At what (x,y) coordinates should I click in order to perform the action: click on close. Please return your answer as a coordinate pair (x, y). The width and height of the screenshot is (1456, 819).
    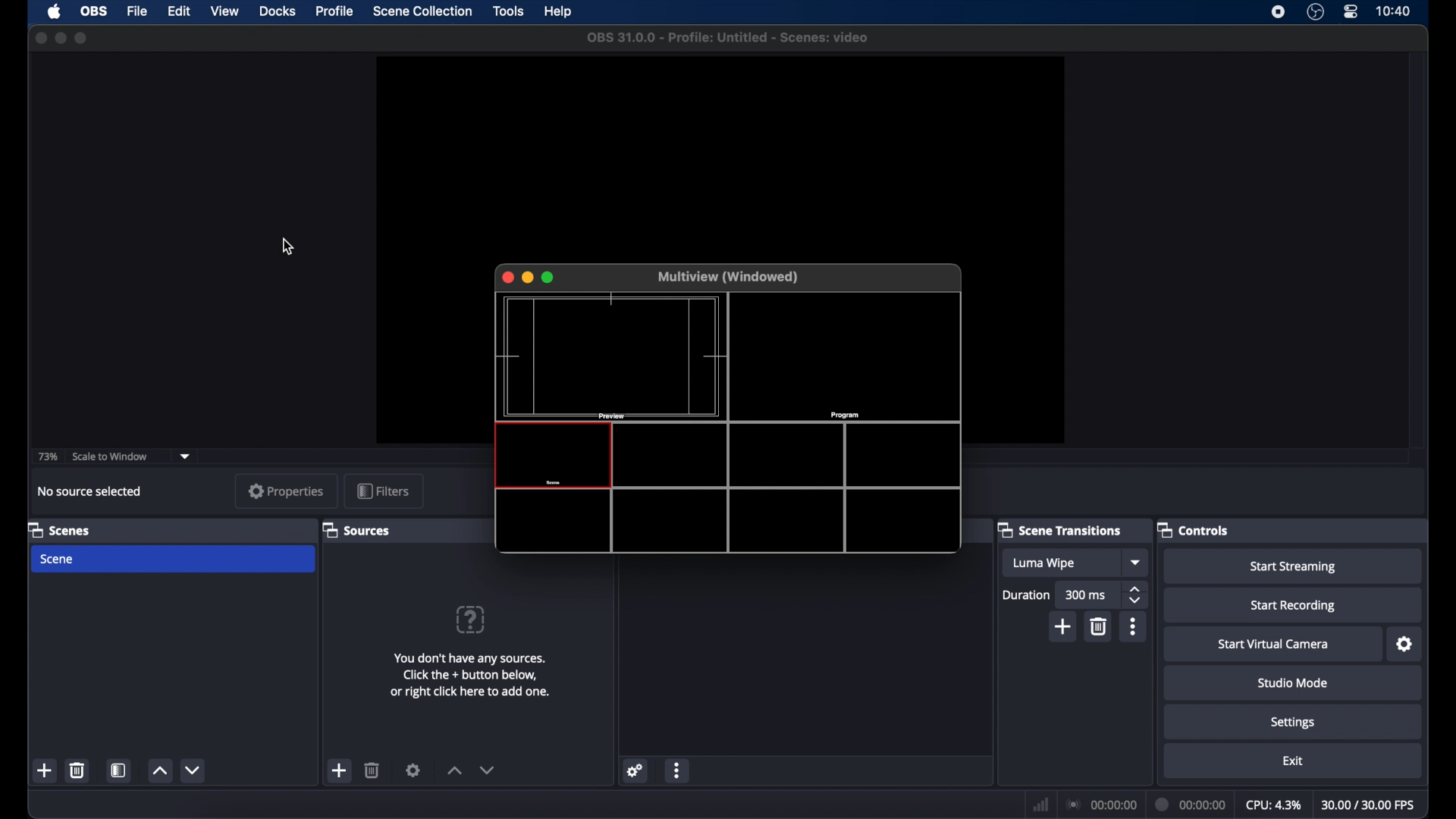
    Looking at the image, I should click on (40, 38).